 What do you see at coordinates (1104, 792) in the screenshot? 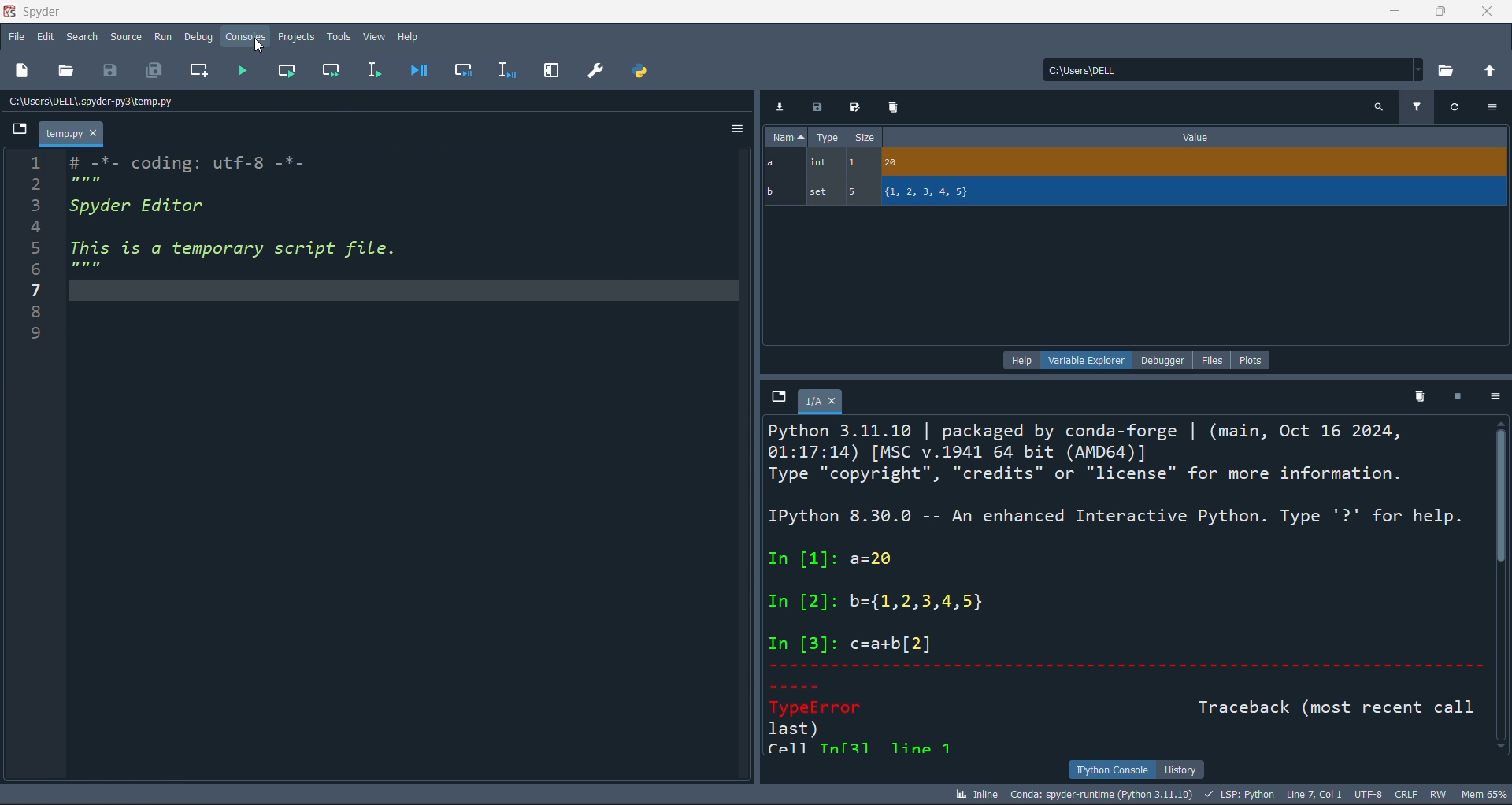
I see `CONDA: SPYDER-RUNTIME (PYTHON 3.11.10)` at bounding box center [1104, 792].